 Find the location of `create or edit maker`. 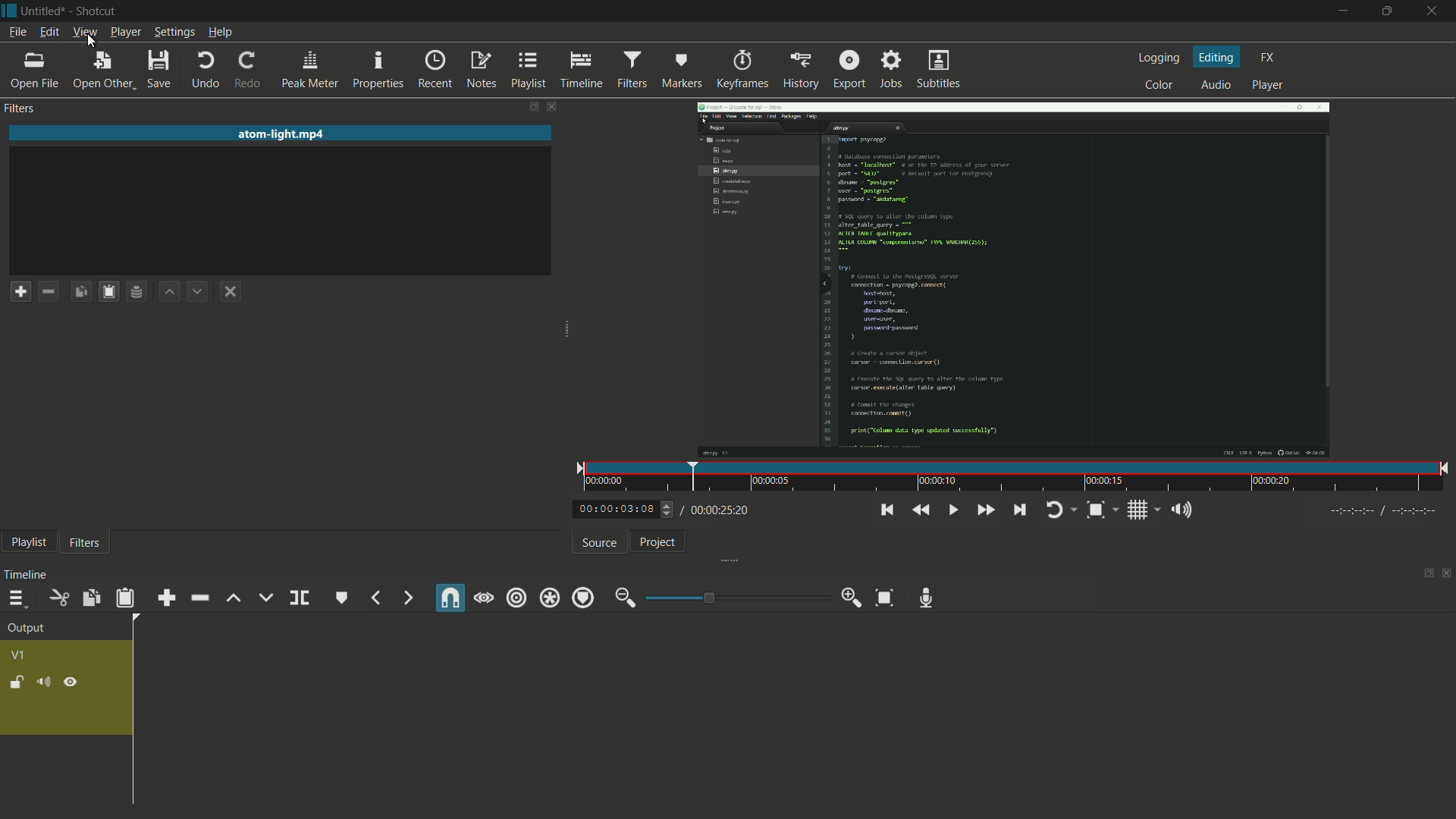

create or edit maker is located at coordinates (341, 600).